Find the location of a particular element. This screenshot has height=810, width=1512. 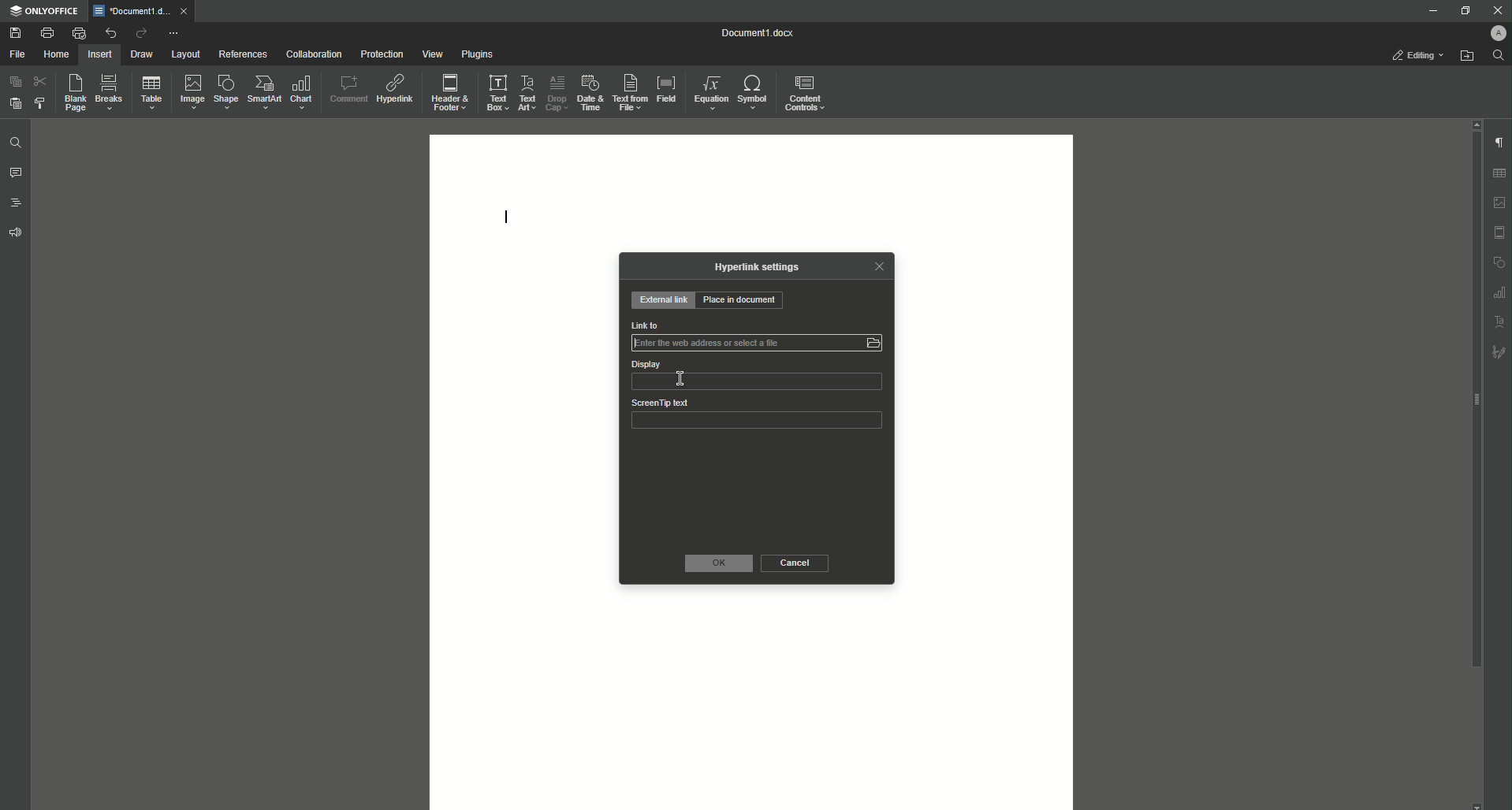

Hyperlink Settings is located at coordinates (753, 271).